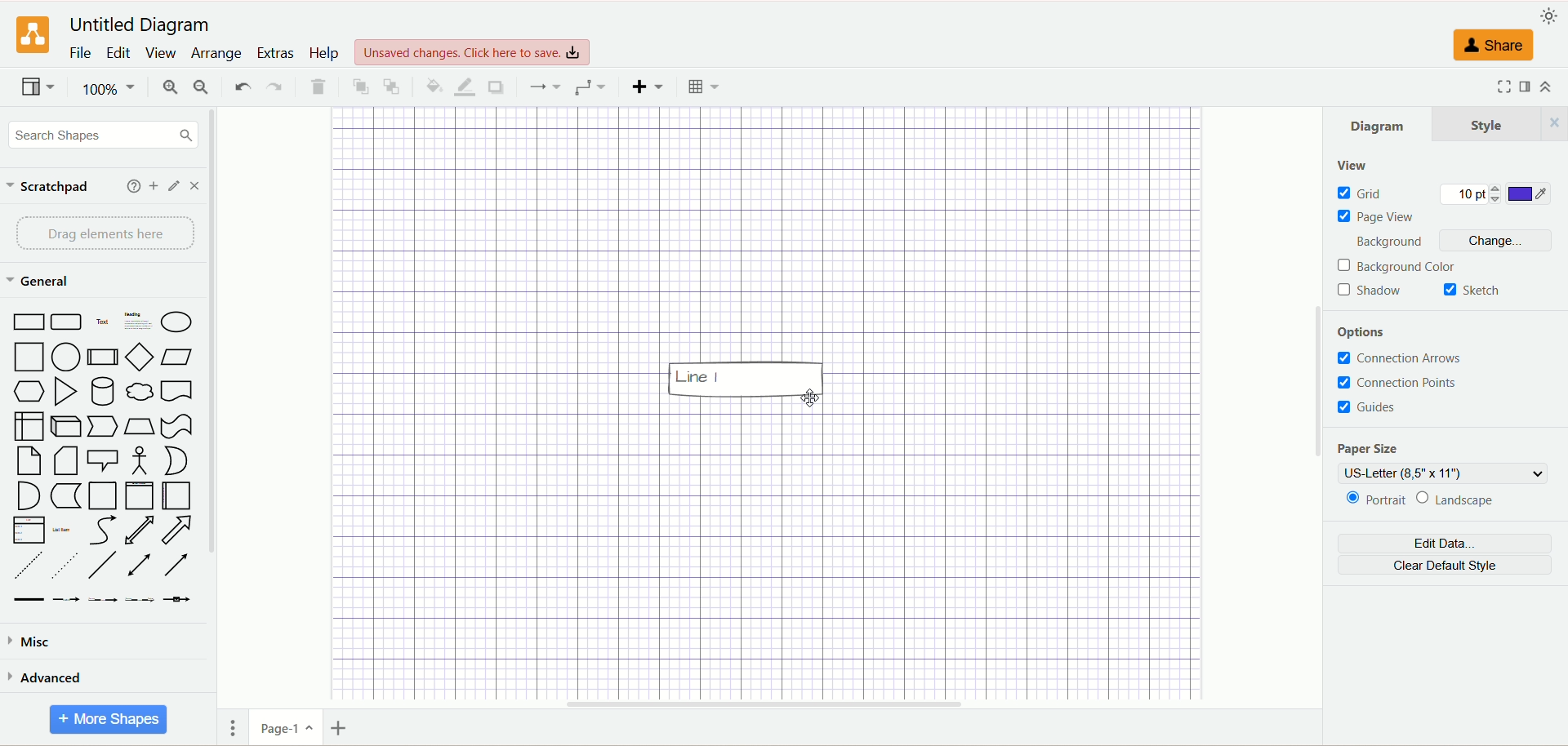 The image size is (1568, 746). I want to click on Or, so click(176, 461).